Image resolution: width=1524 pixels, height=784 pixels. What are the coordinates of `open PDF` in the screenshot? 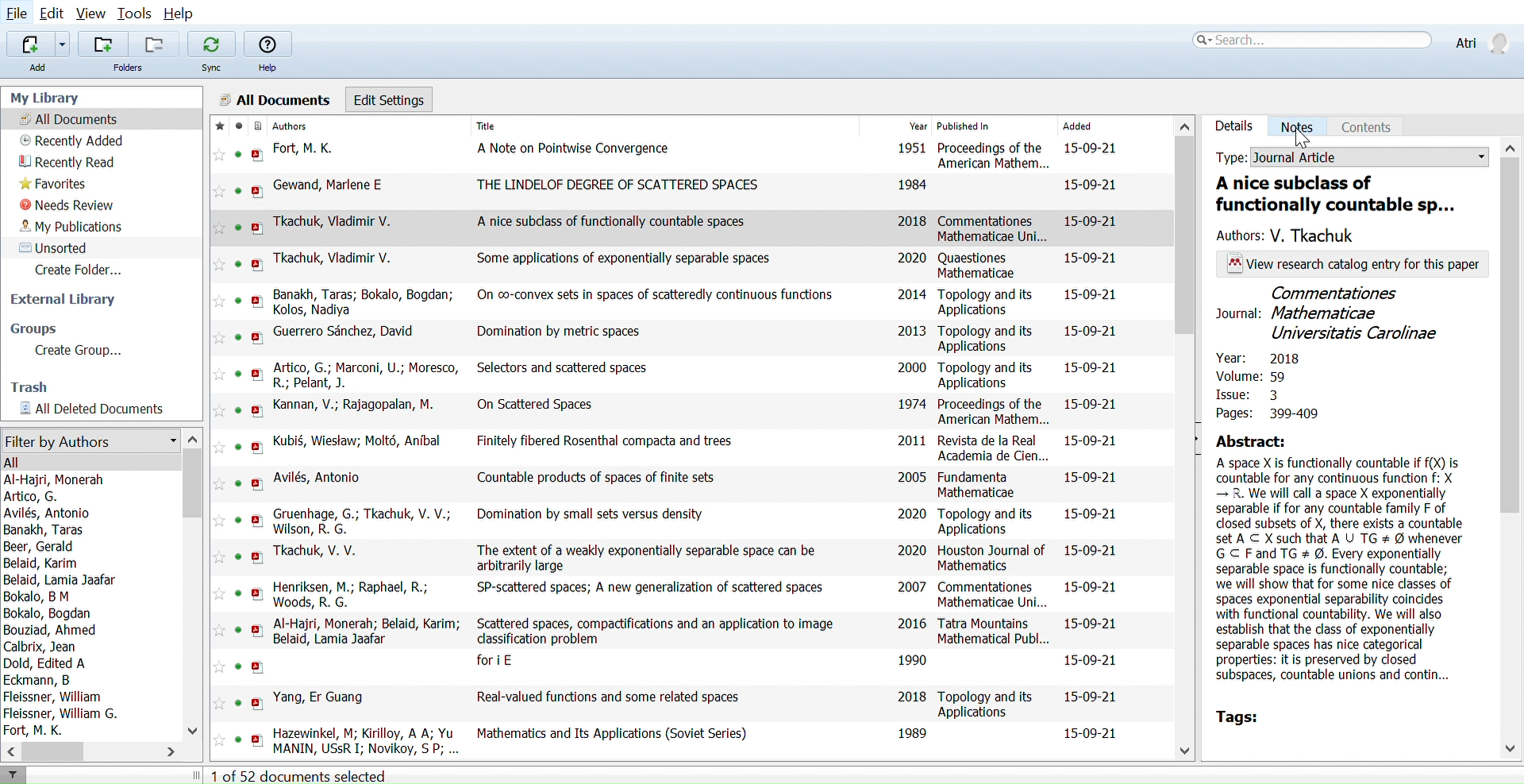 It's located at (257, 484).